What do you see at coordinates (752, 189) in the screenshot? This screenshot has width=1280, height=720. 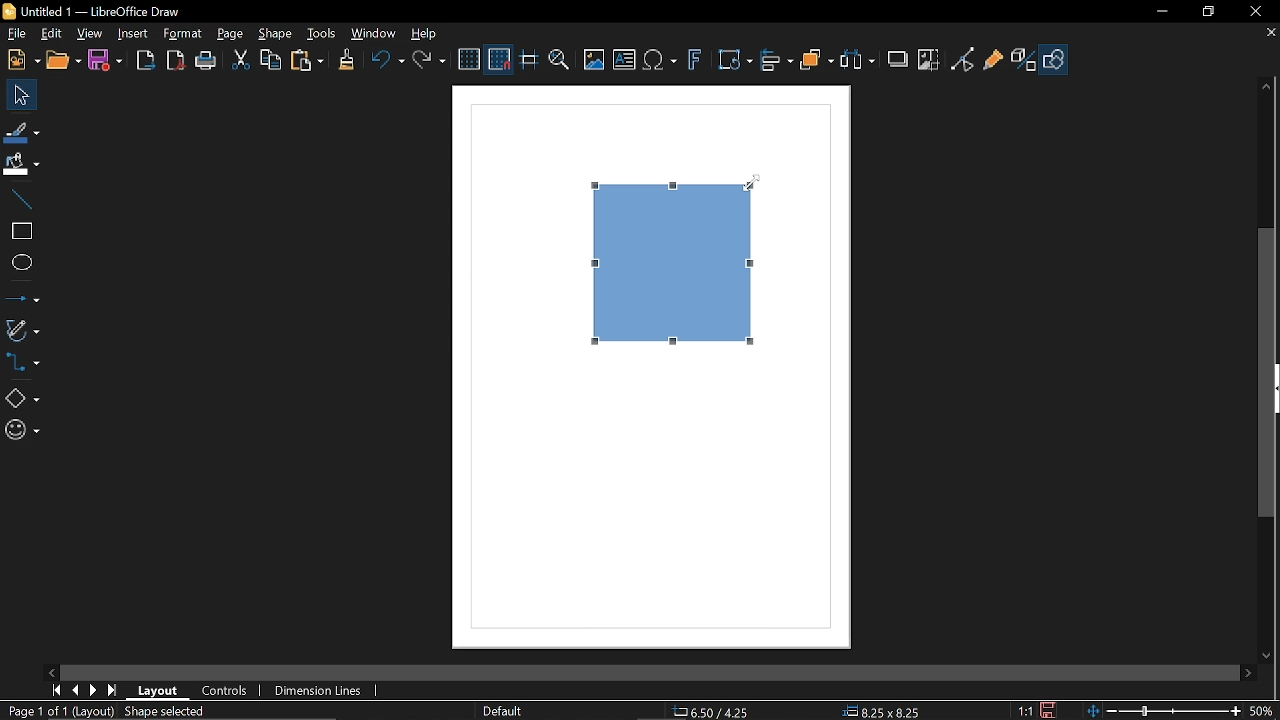 I see `Cursor` at bounding box center [752, 189].